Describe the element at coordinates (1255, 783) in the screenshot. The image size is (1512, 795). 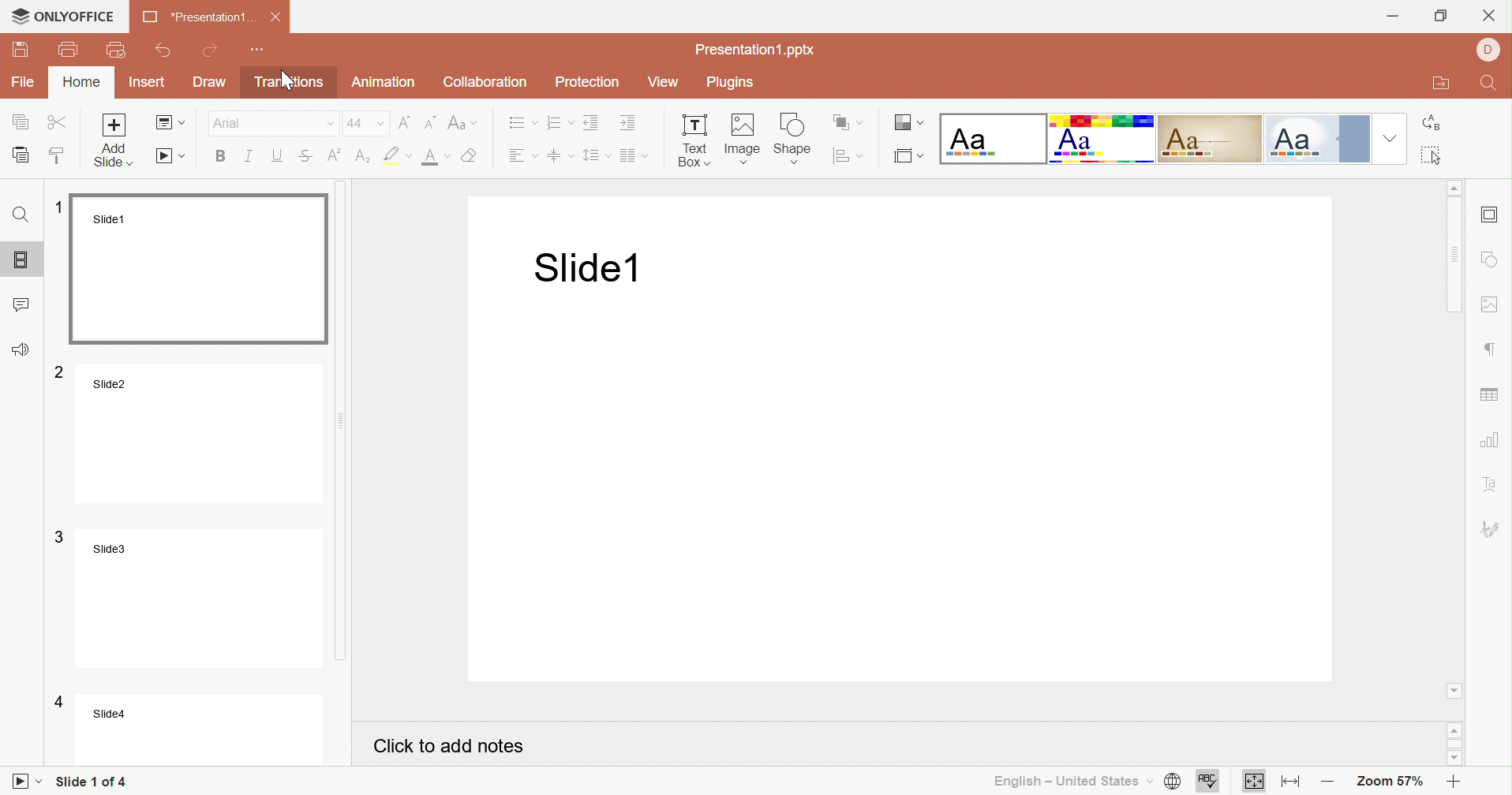
I see `Fit to slide` at that location.